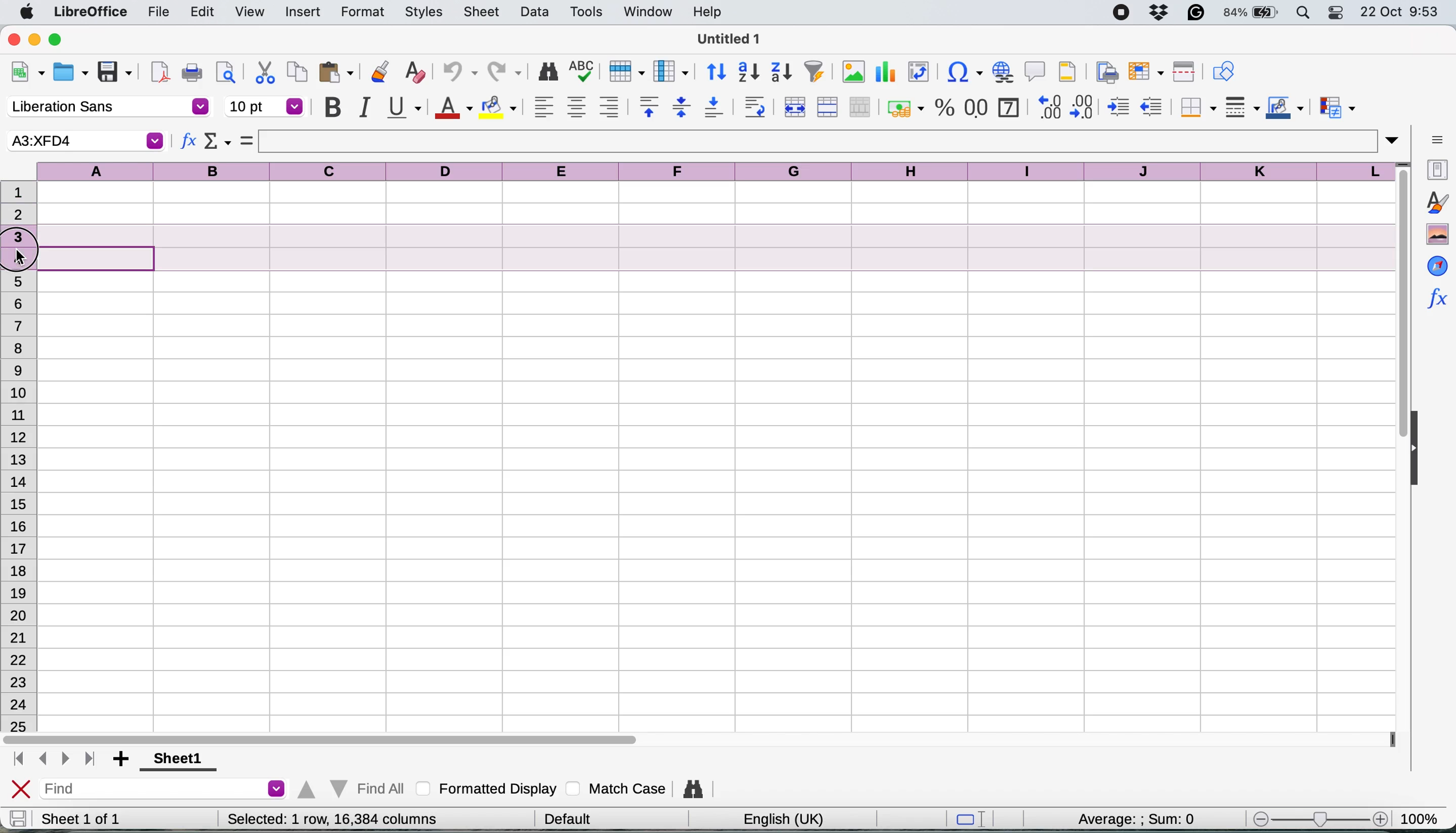  I want to click on find all, so click(349, 786).